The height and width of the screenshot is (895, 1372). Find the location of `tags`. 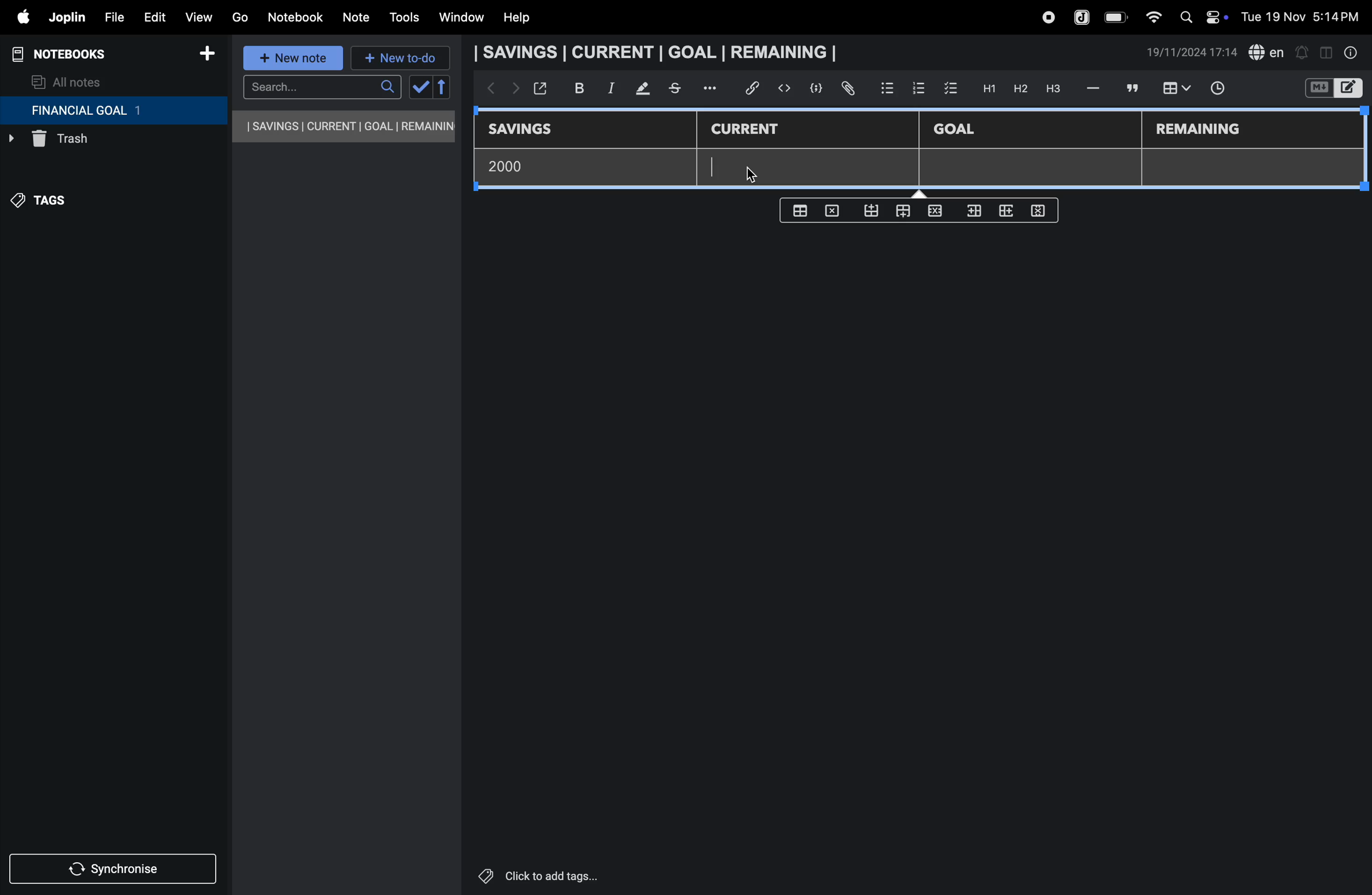

tags is located at coordinates (47, 206).